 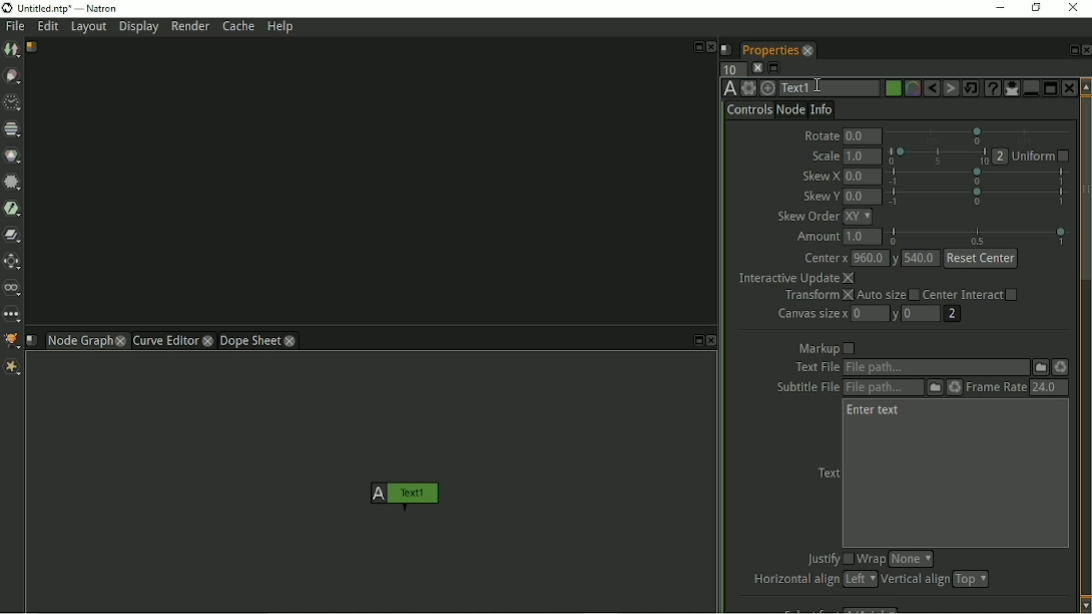 I want to click on Advanced text generator node, so click(x=991, y=88).